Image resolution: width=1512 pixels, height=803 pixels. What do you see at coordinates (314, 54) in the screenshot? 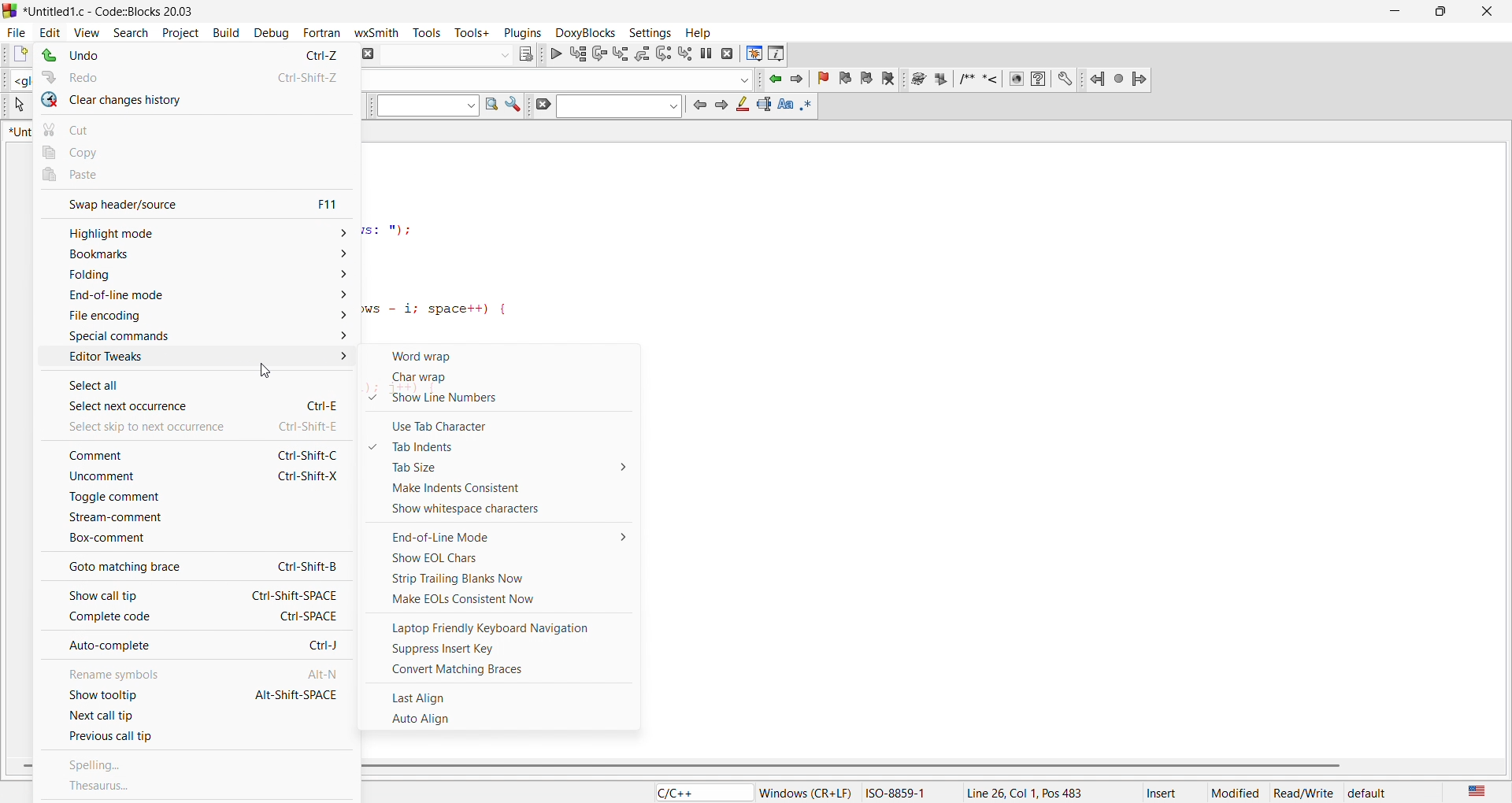
I see `Ctrl-Z` at bounding box center [314, 54].